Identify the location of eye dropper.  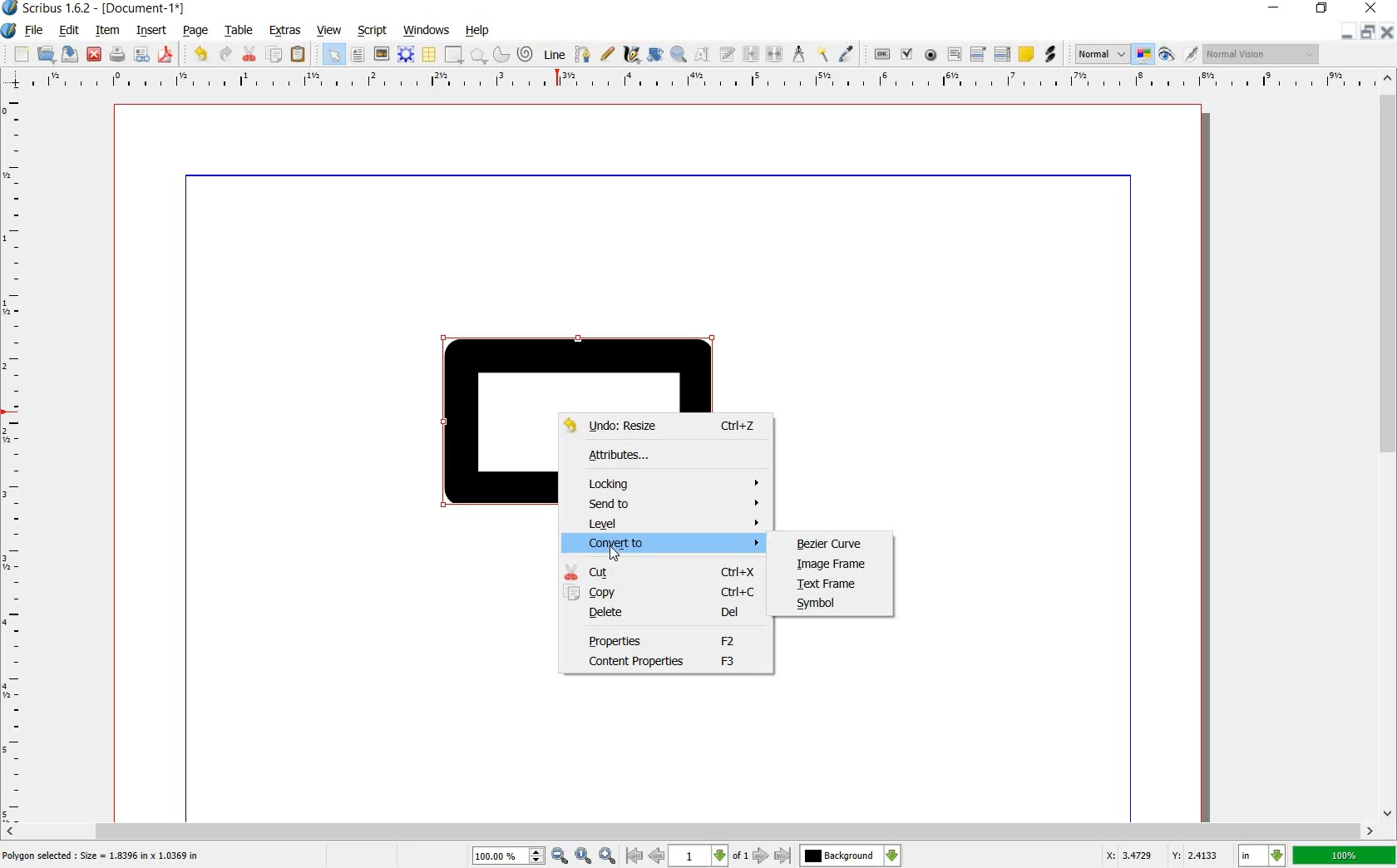
(847, 53).